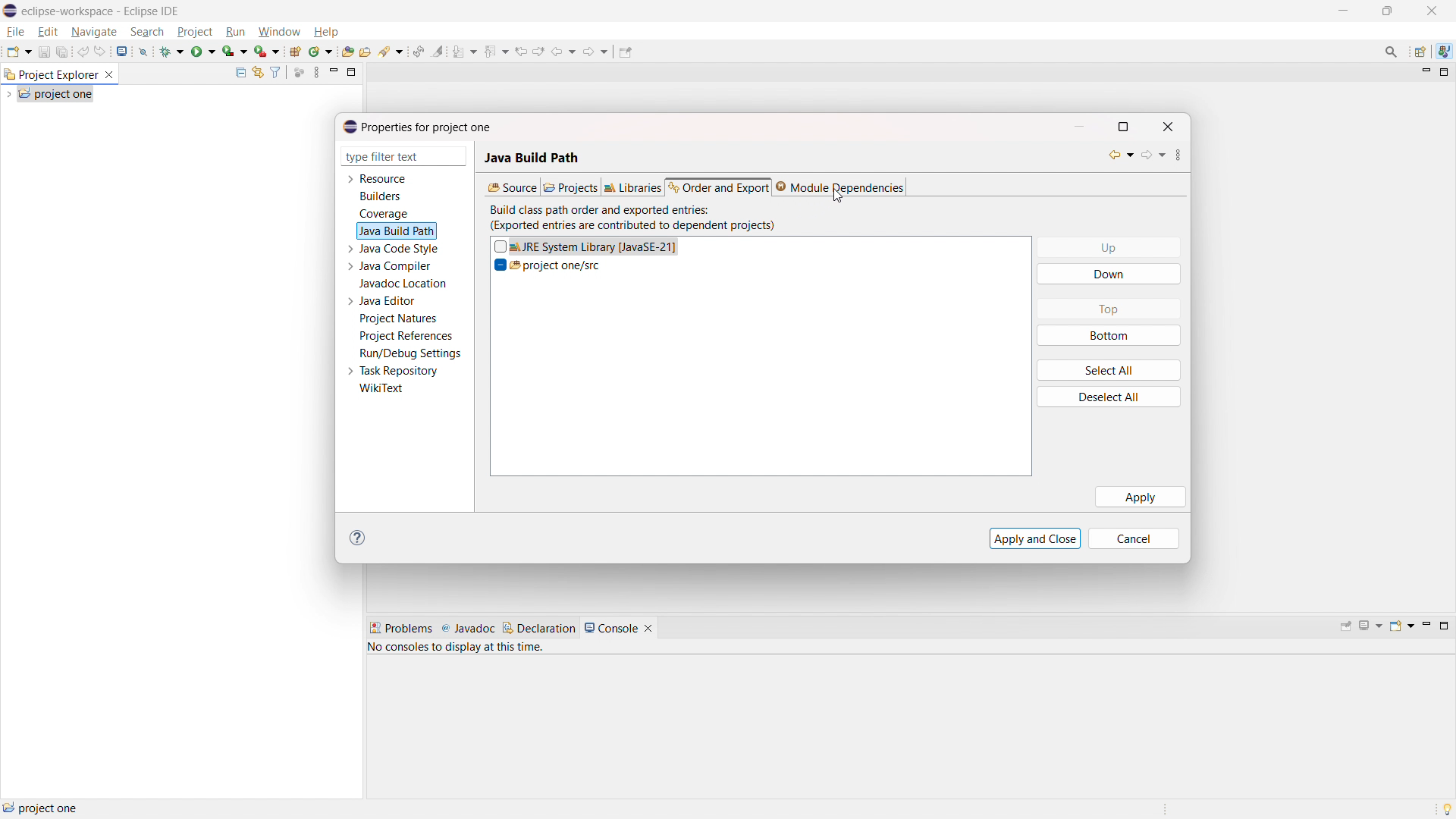 The width and height of the screenshot is (1456, 819). What do you see at coordinates (316, 72) in the screenshot?
I see `view menu` at bounding box center [316, 72].